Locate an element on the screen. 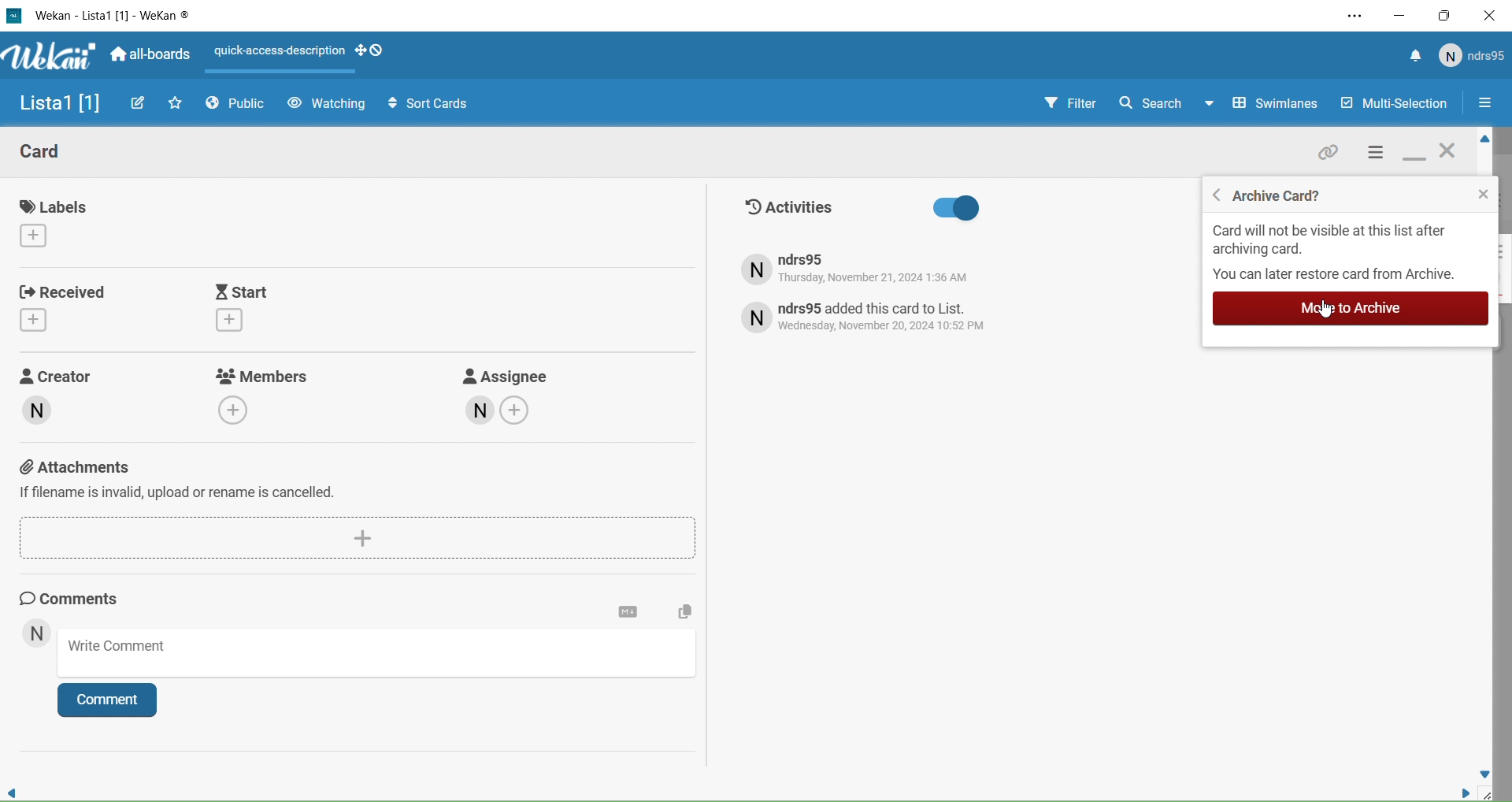 This screenshot has width=1512, height=802. Start is located at coordinates (255, 306).